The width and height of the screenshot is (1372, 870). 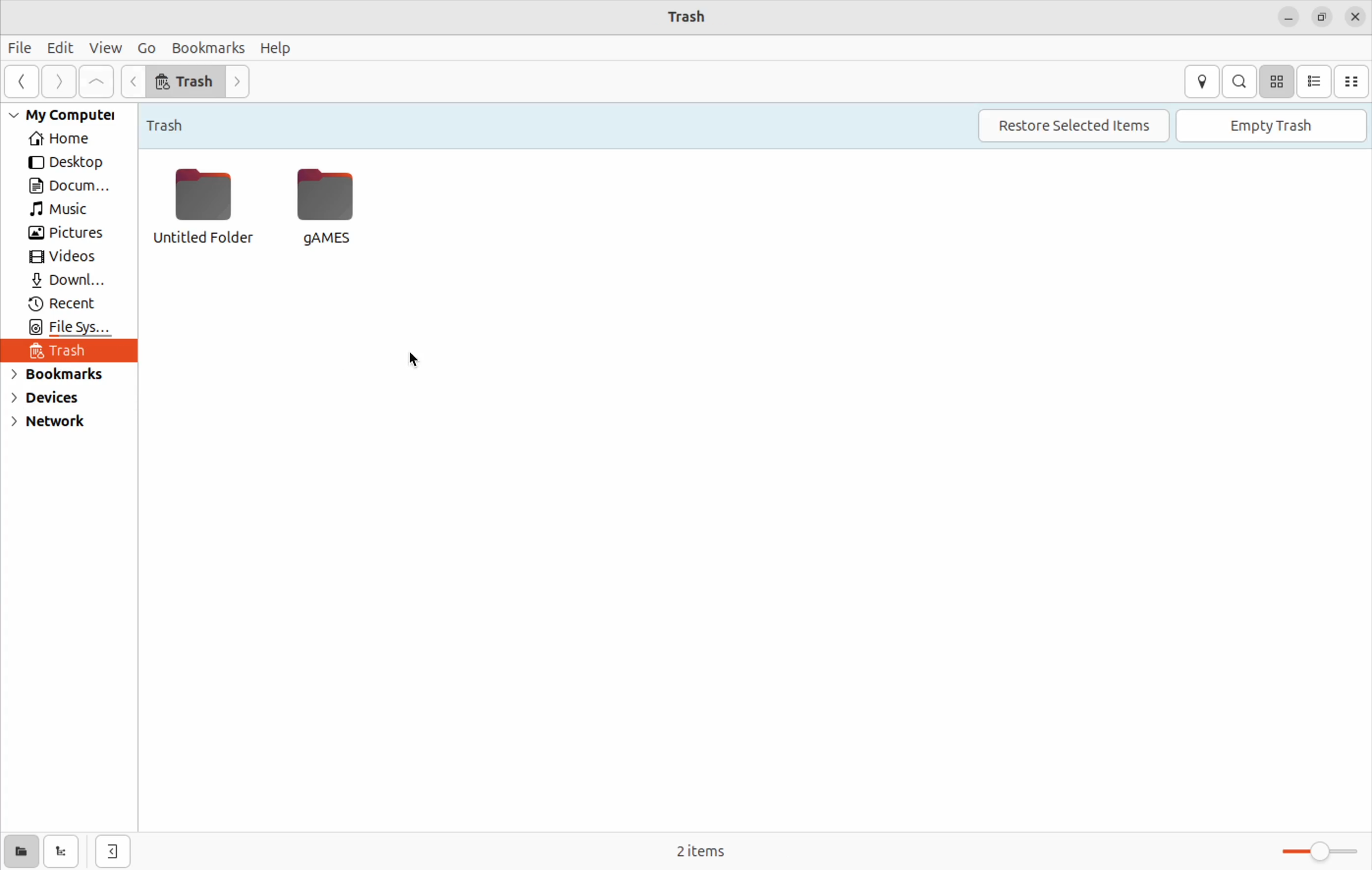 What do you see at coordinates (60, 47) in the screenshot?
I see `Edit` at bounding box center [60, 47].